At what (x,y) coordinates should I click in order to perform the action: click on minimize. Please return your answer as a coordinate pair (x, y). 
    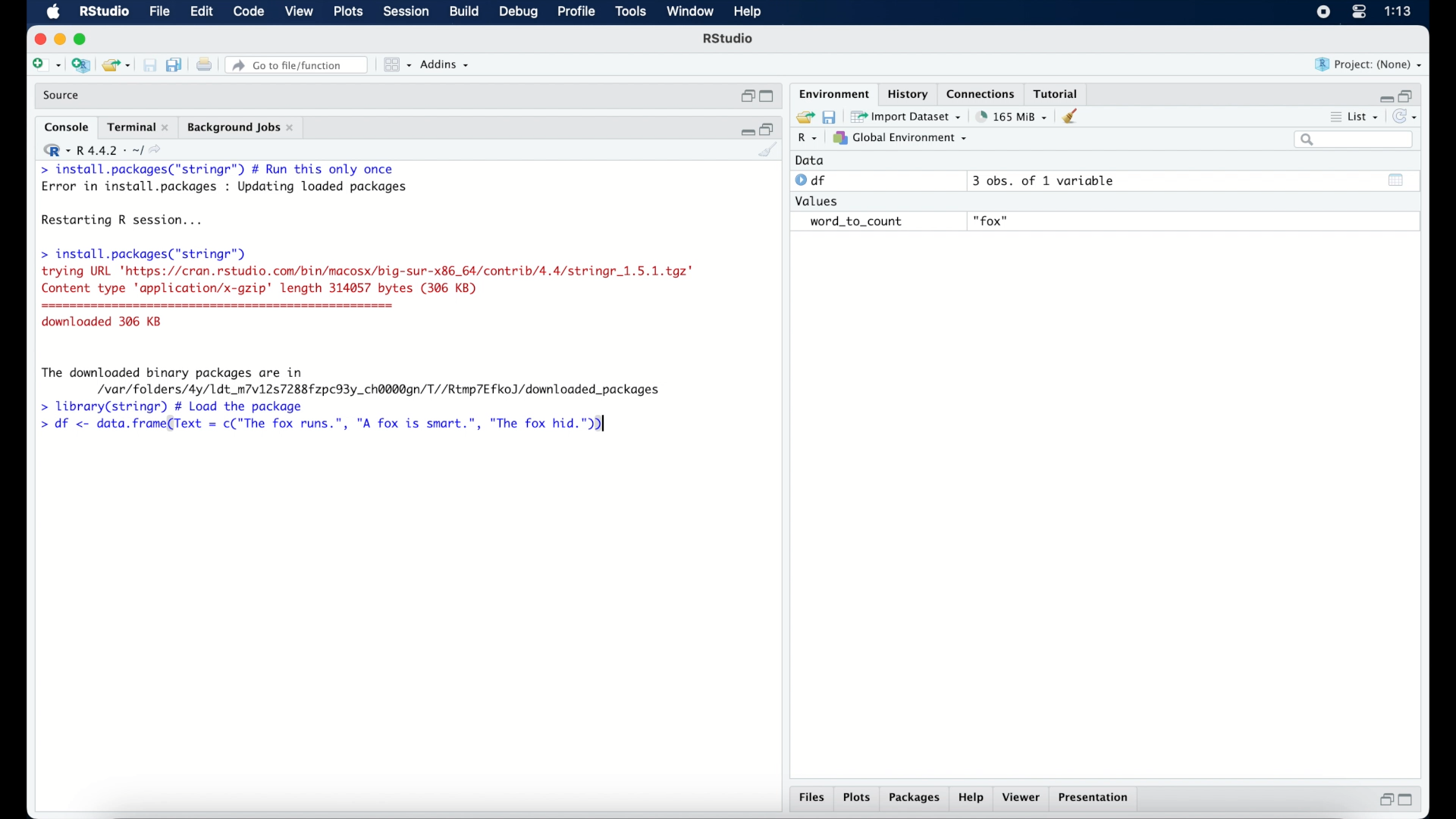
    Looking at the image, I should click on (745, 130).